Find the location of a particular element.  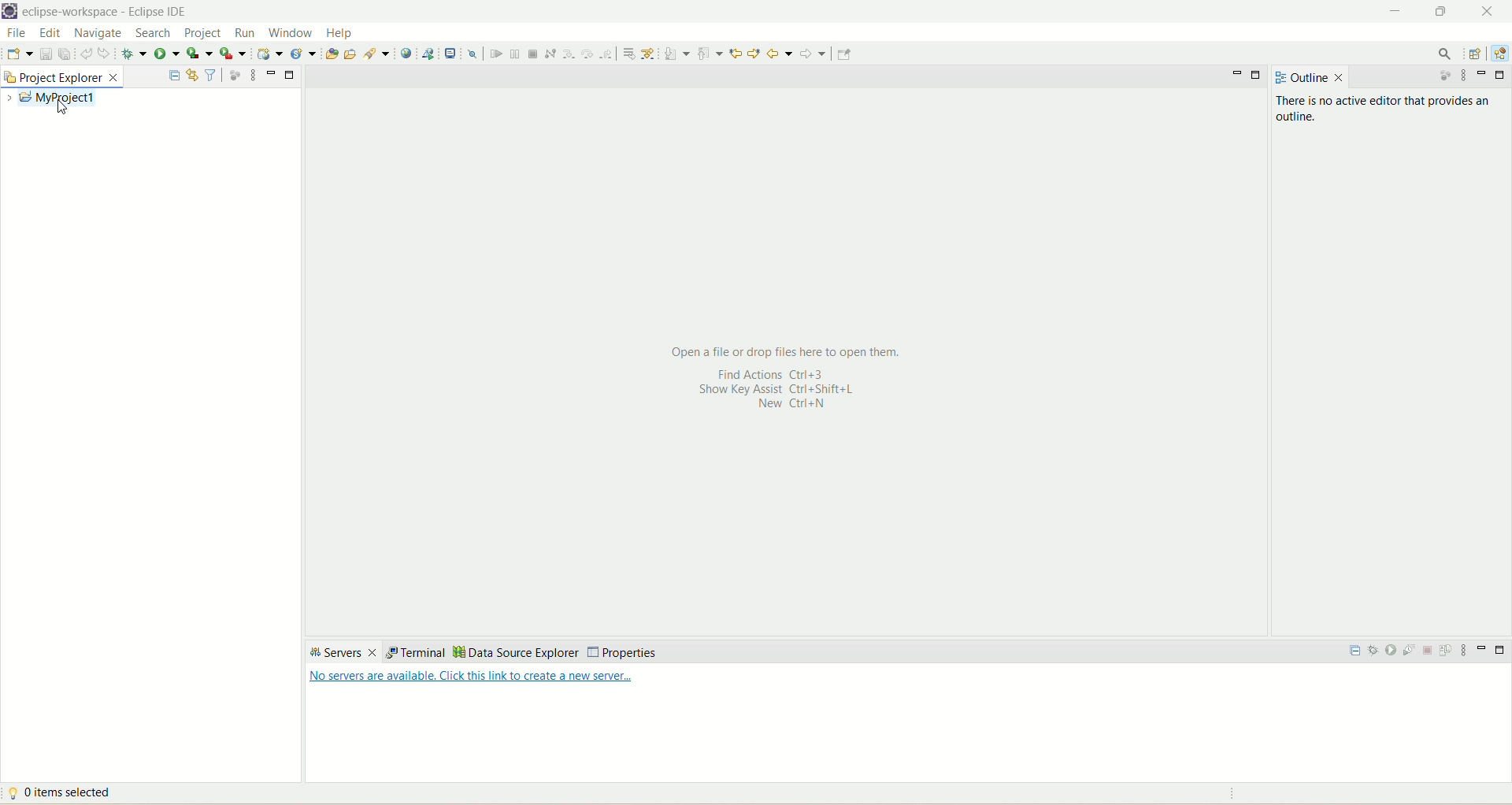

open a web browser is located at coordinates (409, 54).